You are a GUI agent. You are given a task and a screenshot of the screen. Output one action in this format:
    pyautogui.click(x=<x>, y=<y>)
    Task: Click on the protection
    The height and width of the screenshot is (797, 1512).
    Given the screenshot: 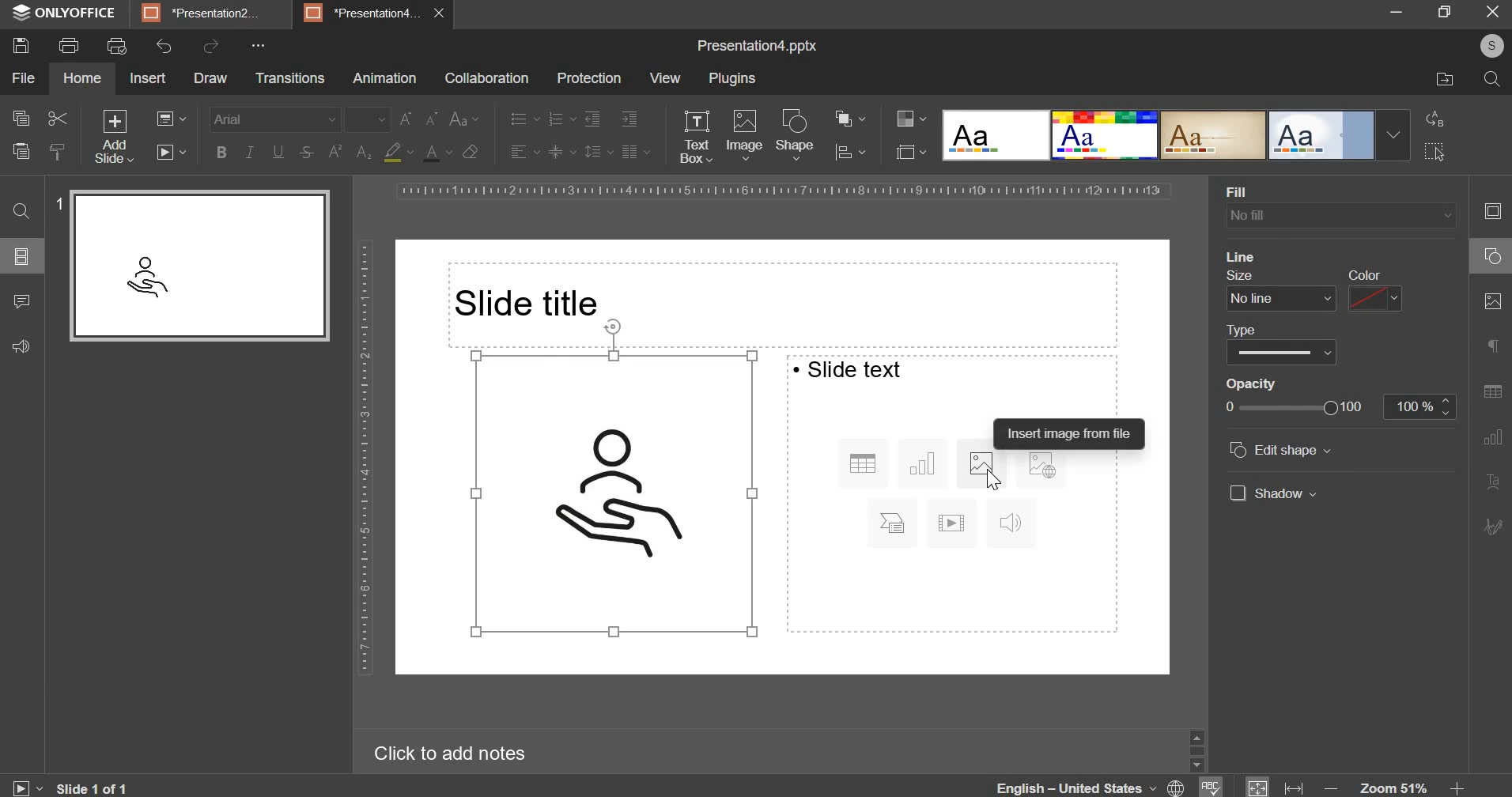 What is the action you would take?
    pyautogui.click(x=590, y=78)
    